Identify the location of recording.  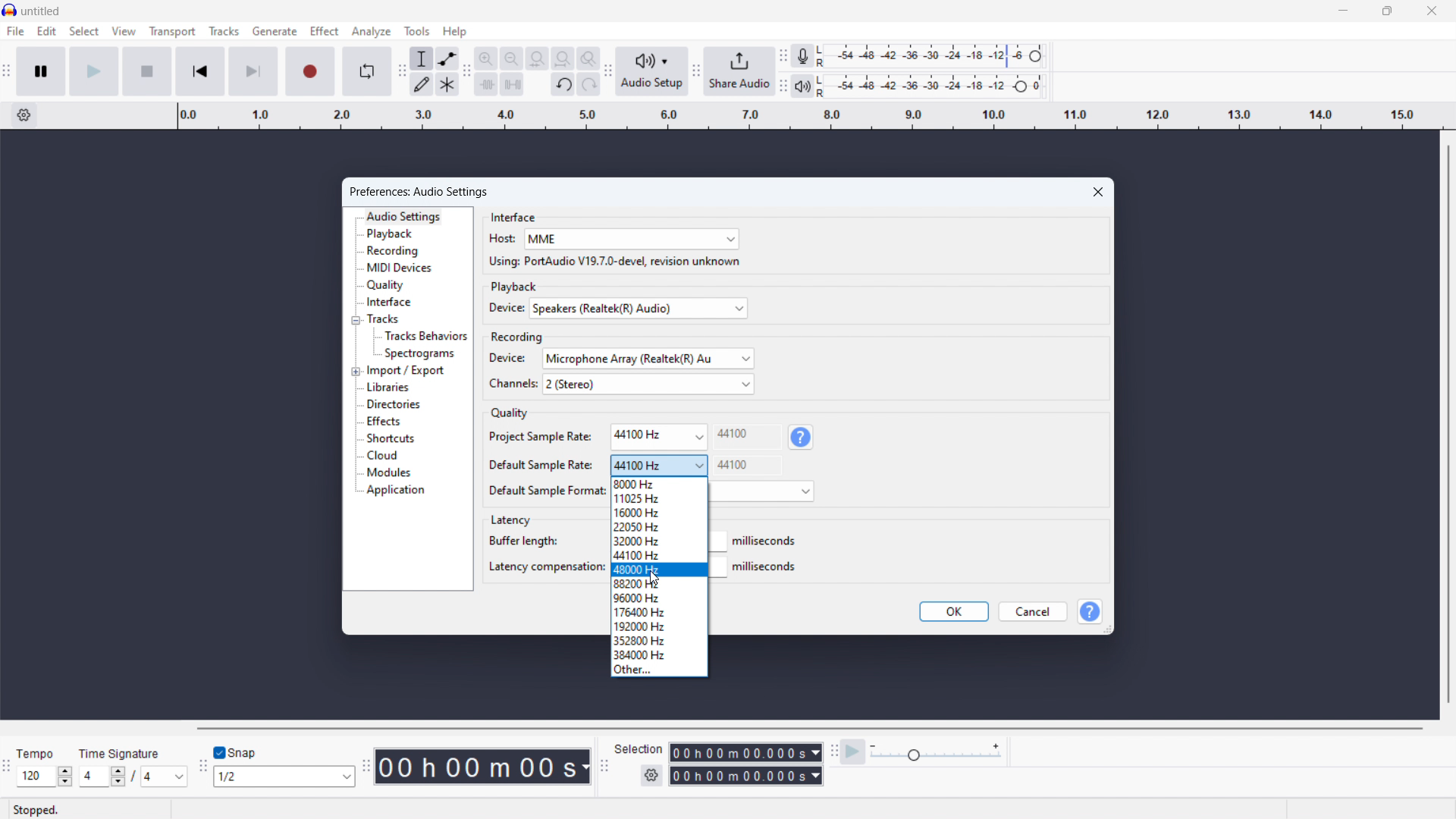
(519, 336).